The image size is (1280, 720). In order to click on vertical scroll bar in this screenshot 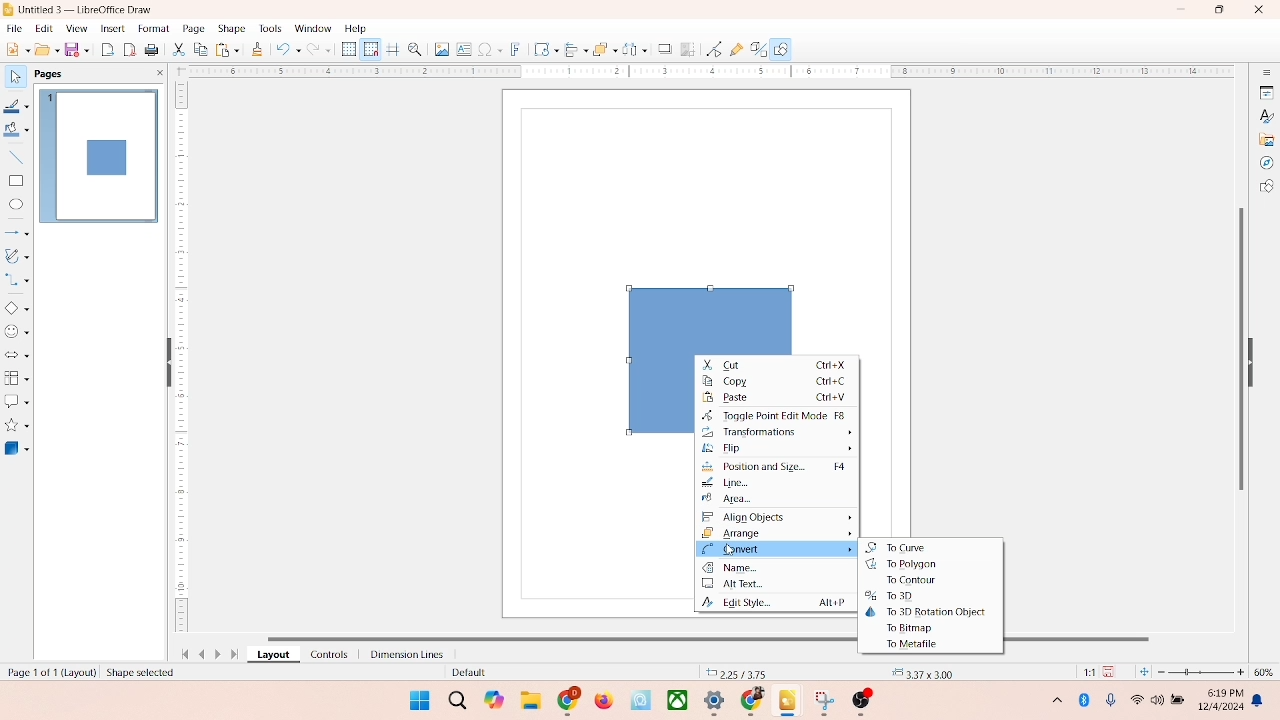, I will do `click(1239, 347)`.